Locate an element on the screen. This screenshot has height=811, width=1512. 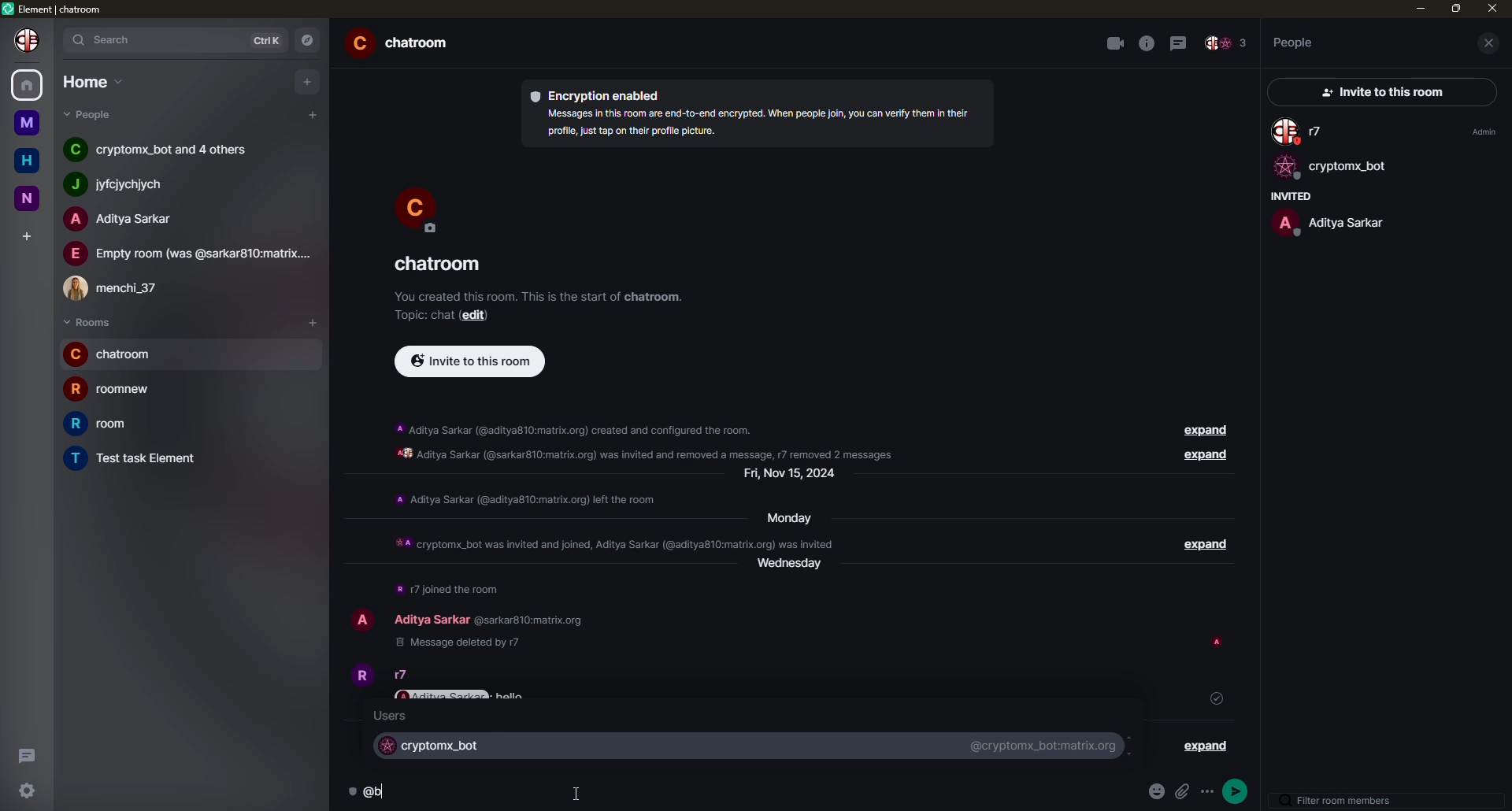
info is located at coordinates (449, 589).